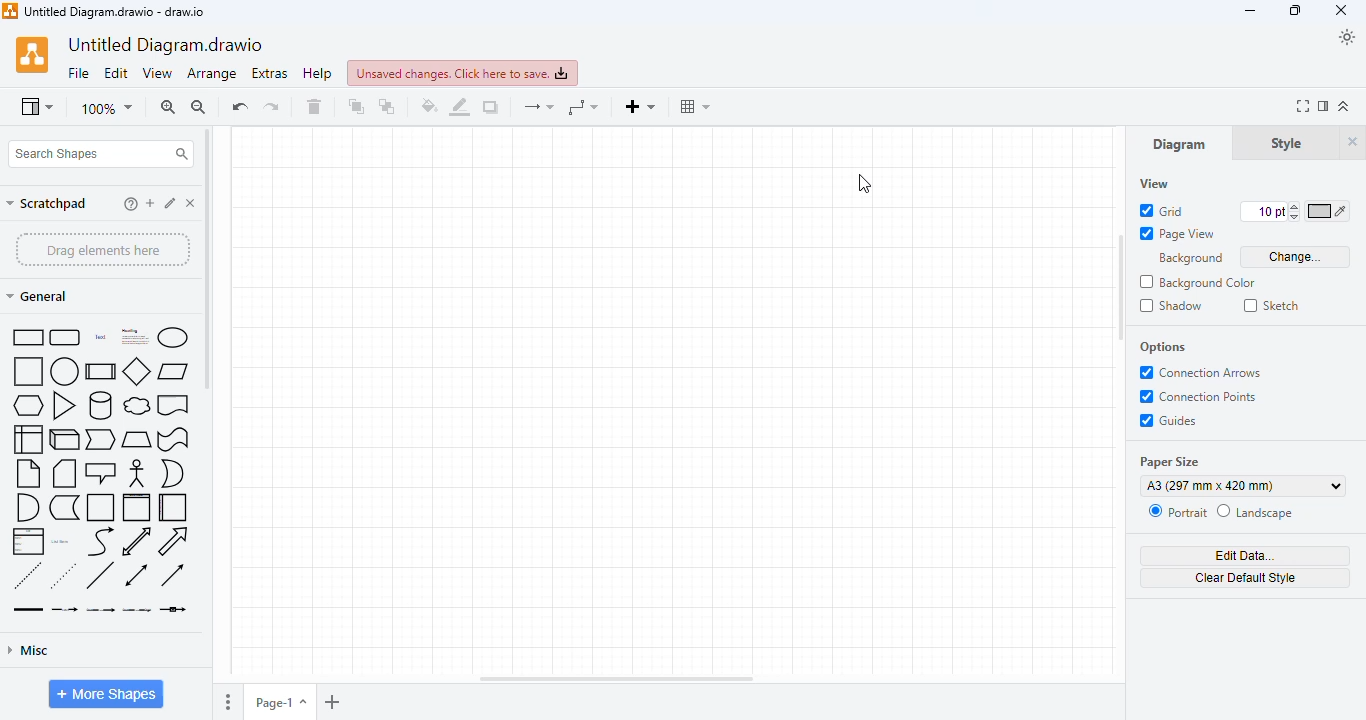 This screenshot has width=1366, height=720. I want to click on change, so click(1296, 257).